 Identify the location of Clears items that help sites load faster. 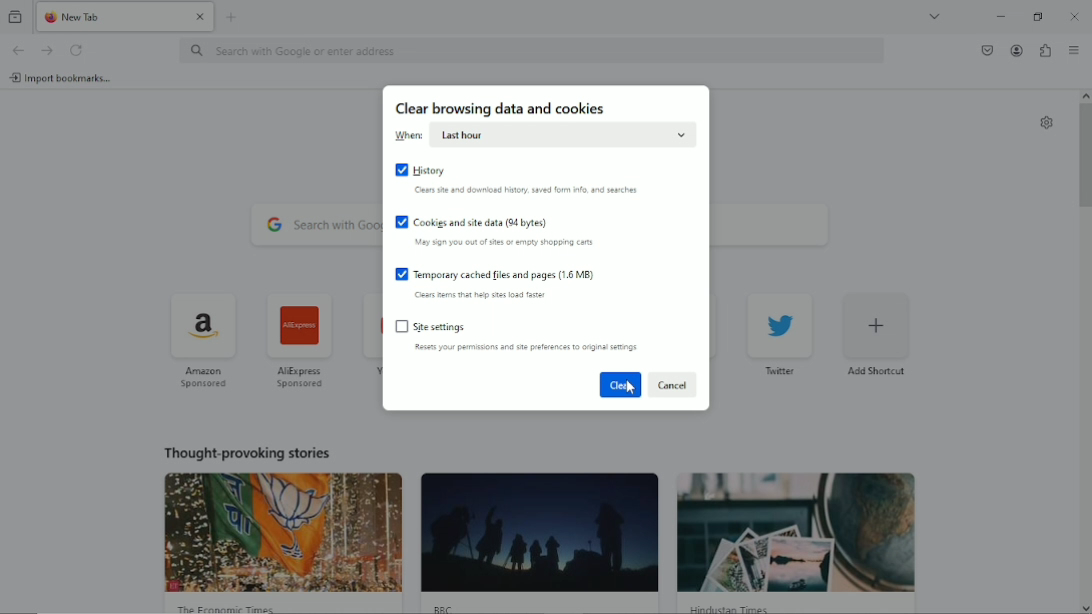
(482, 295).